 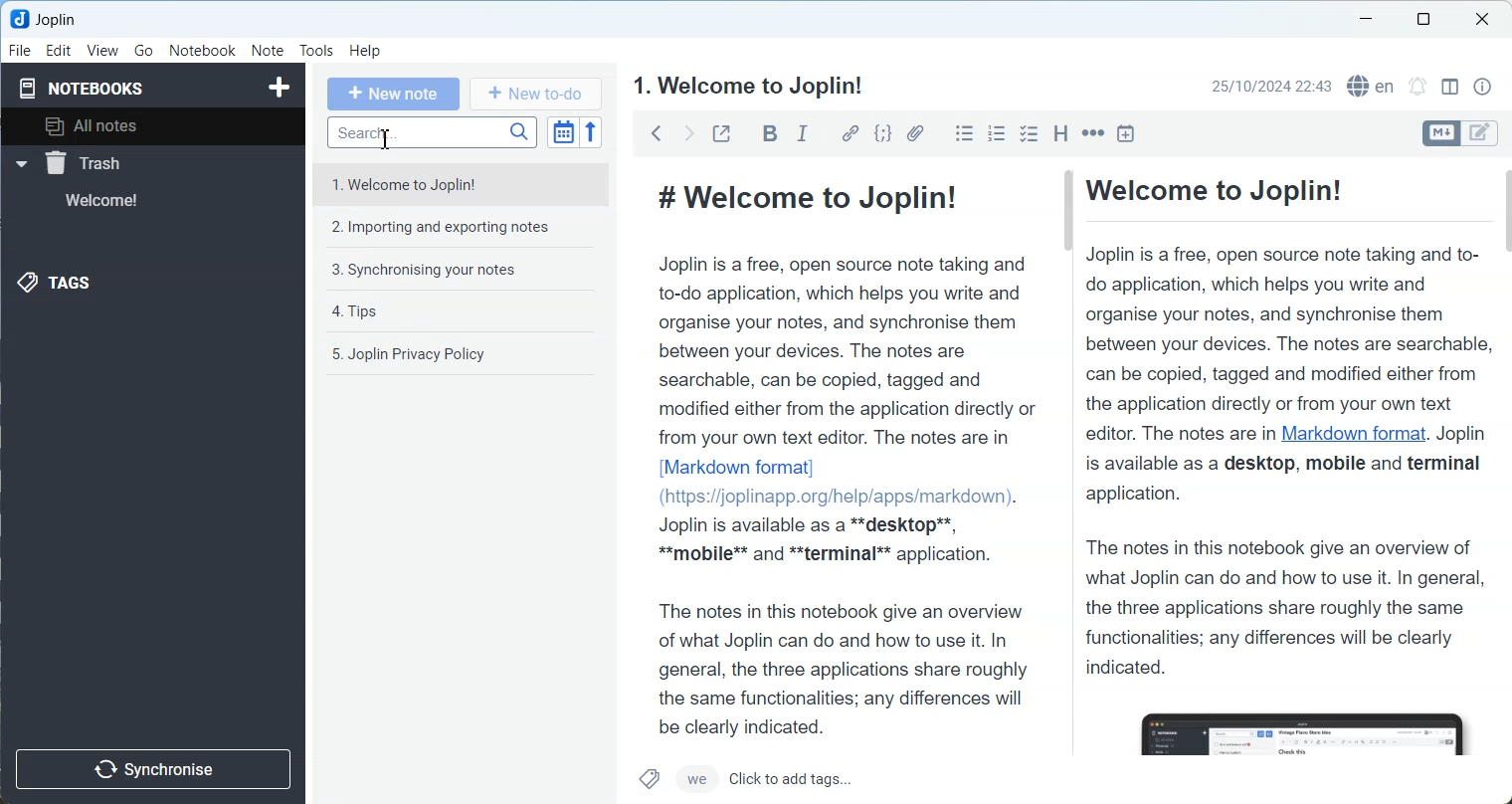 I want to click on Spell checker en, so click(x=1371, y=86).